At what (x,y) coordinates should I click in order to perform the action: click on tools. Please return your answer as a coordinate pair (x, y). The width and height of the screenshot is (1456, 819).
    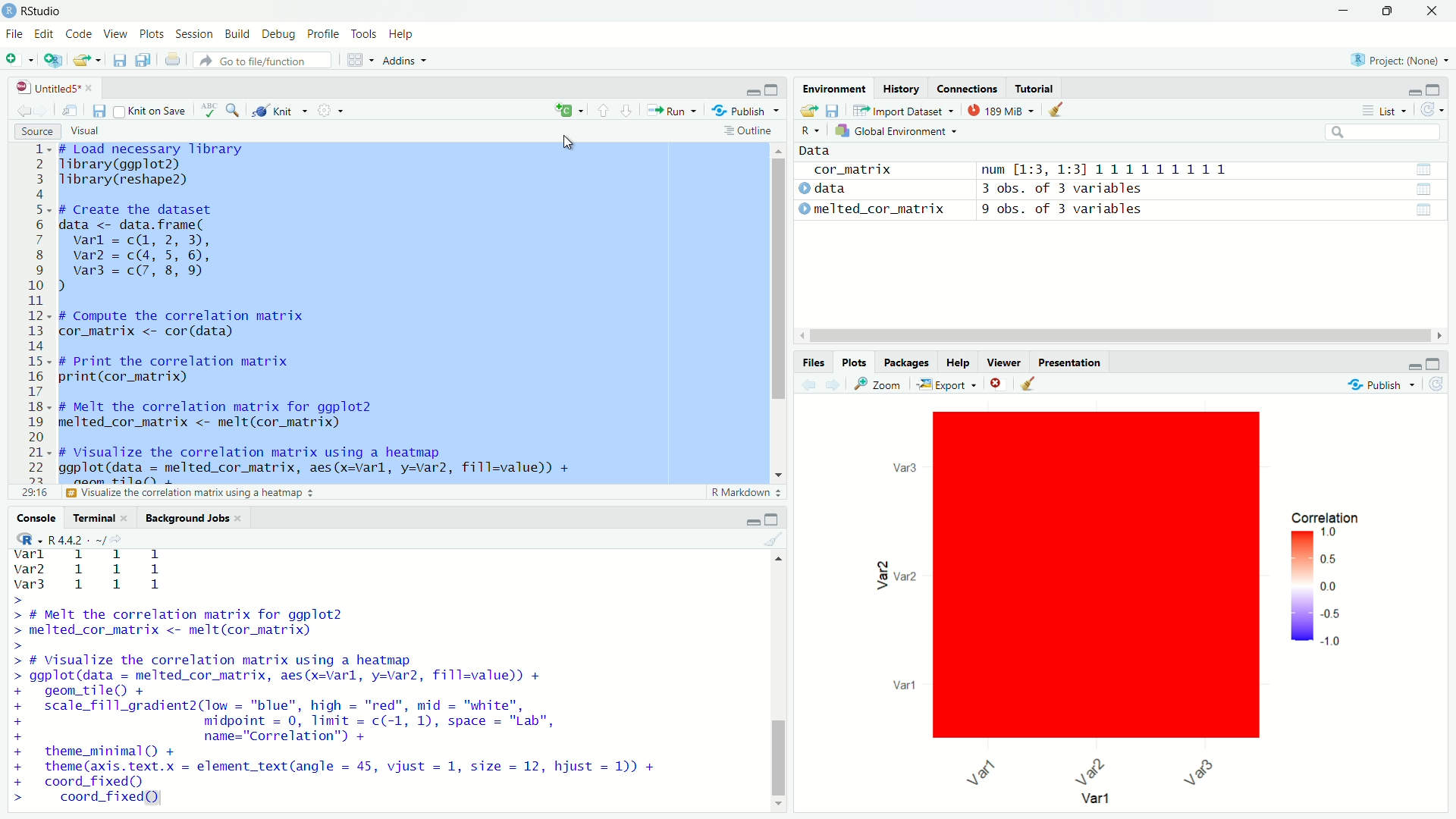
    Looking at the image, I should click on (364, 35).